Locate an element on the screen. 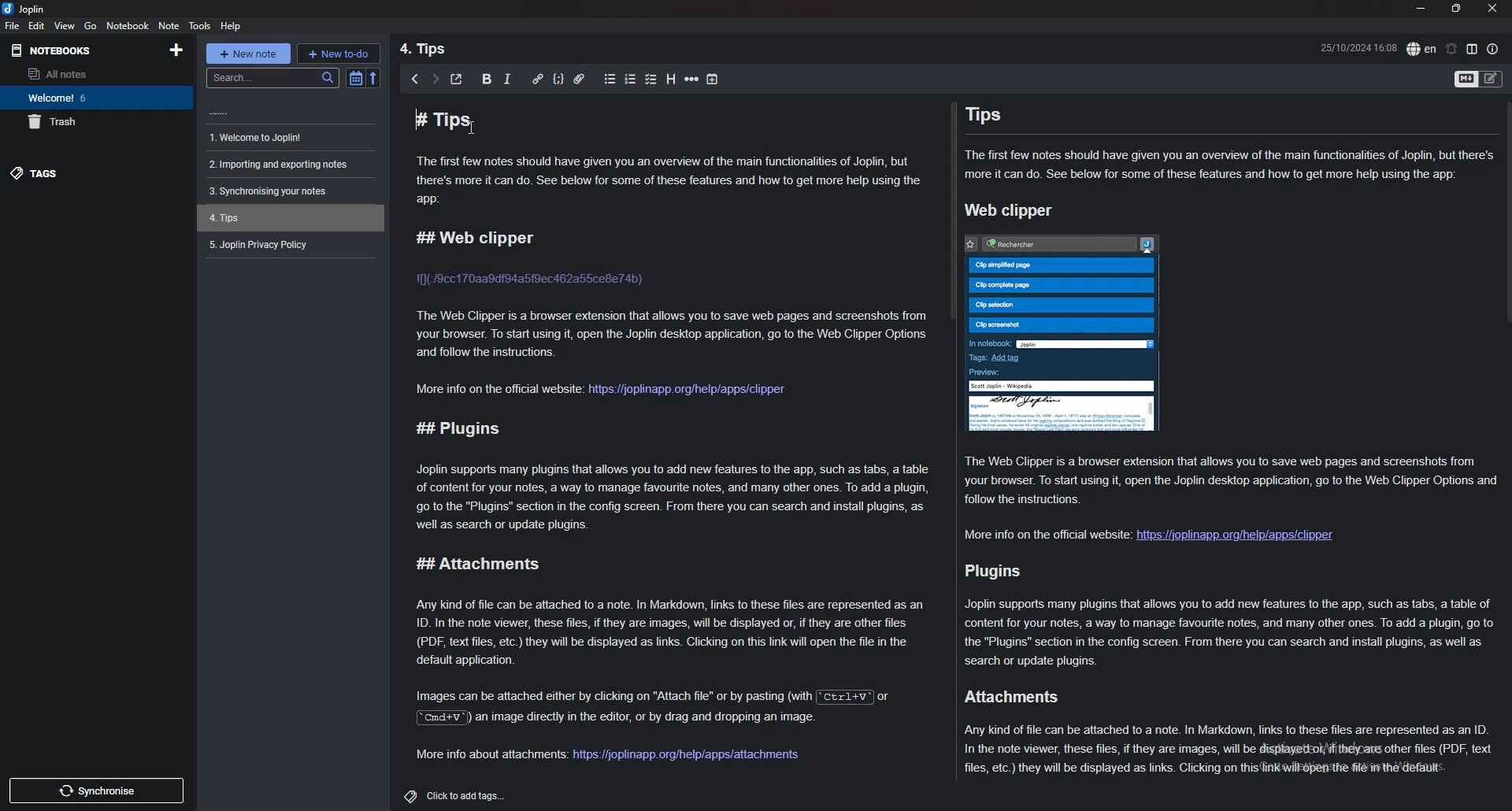 The height and width of the screenshot is (811, 1512). Clip screenshot is located at coordinates (1064, 324).